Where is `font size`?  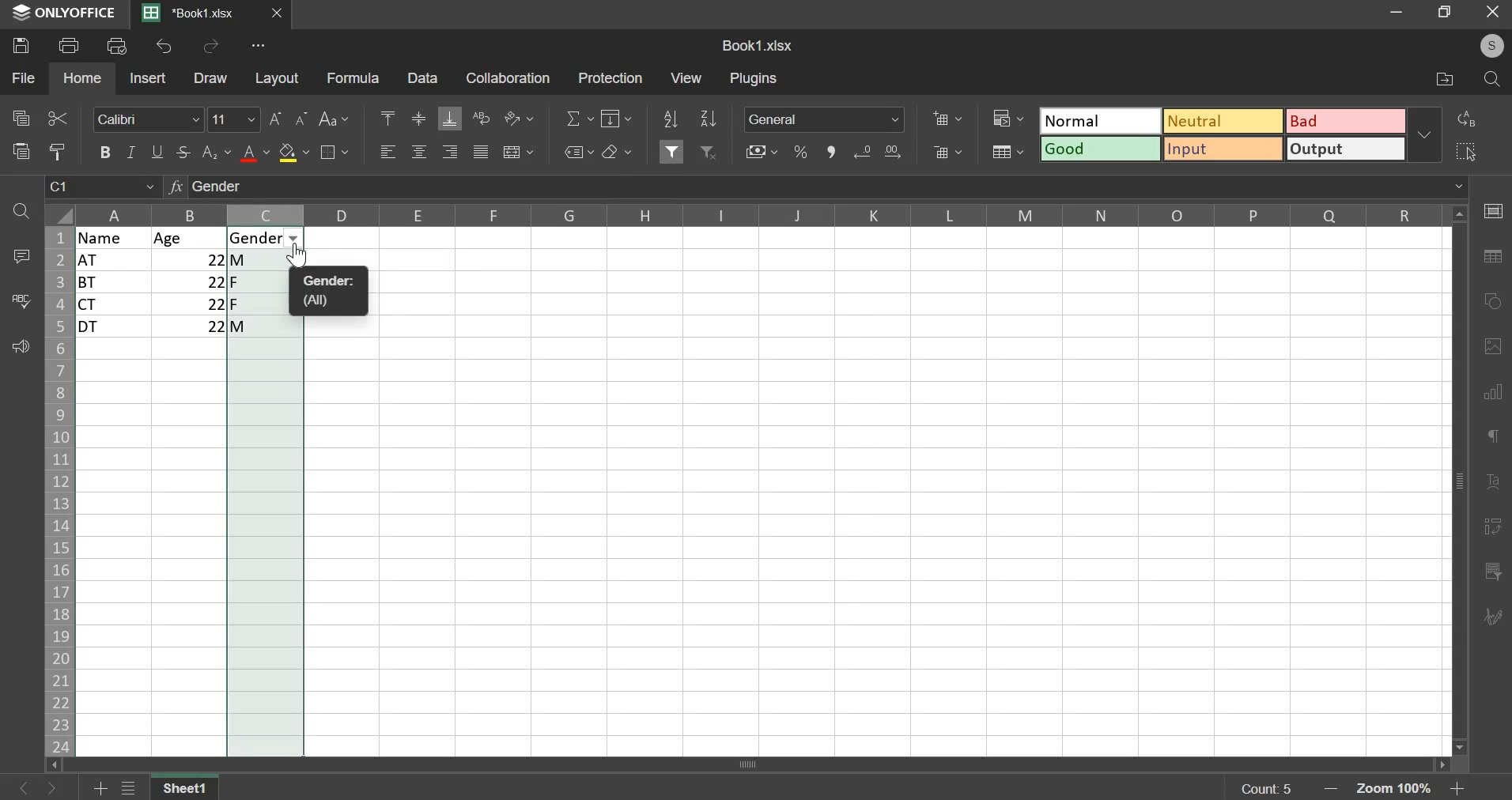 font size is located at coordinates (235, 119).